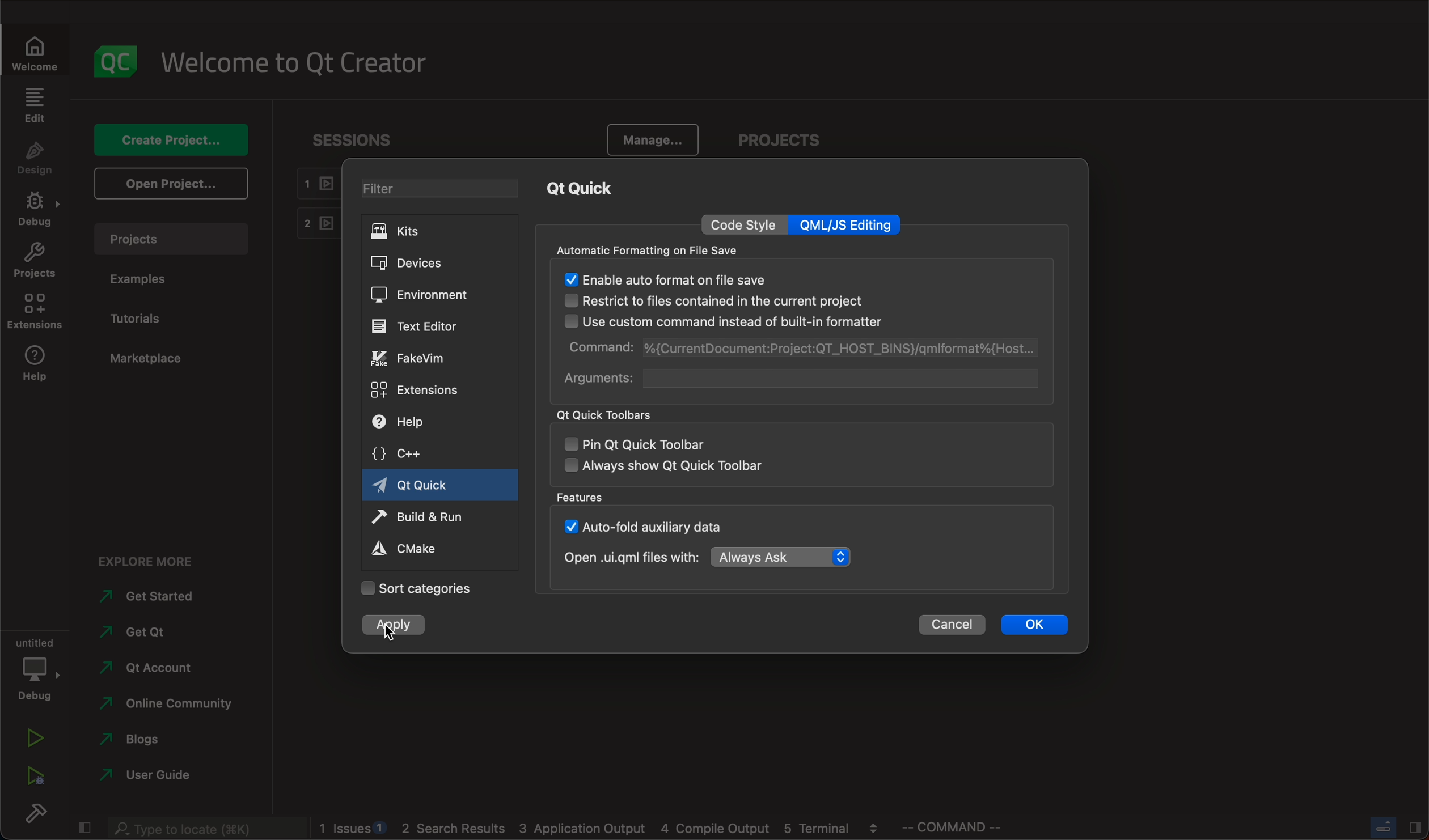 The image size is (1429, 840). Describe the element at coordinates (803, 347) in the screenshot. I see `command` at that location.